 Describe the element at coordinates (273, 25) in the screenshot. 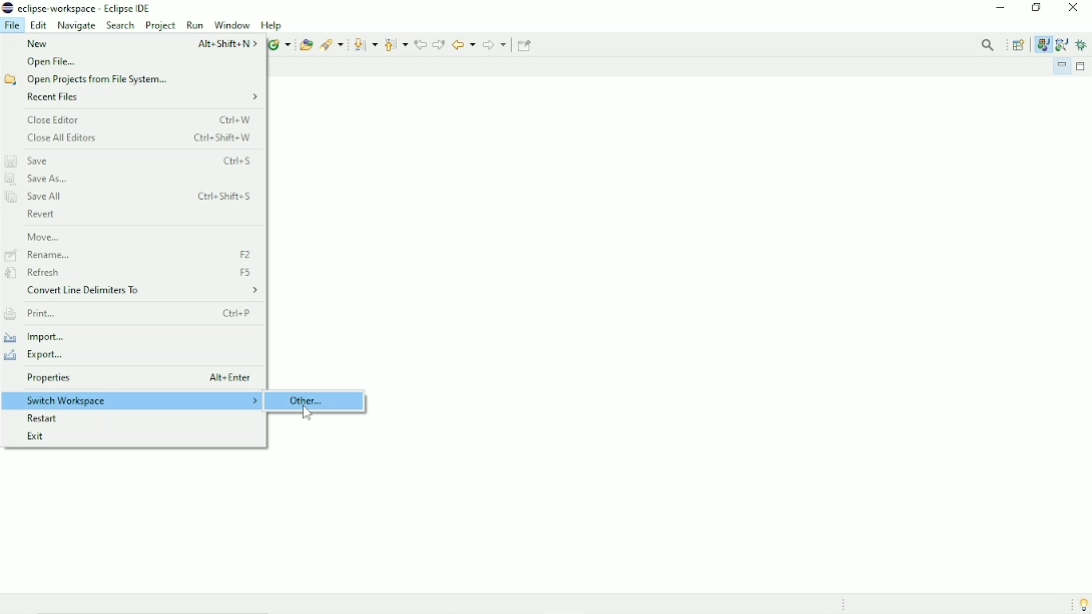

I see `Help` at that location.